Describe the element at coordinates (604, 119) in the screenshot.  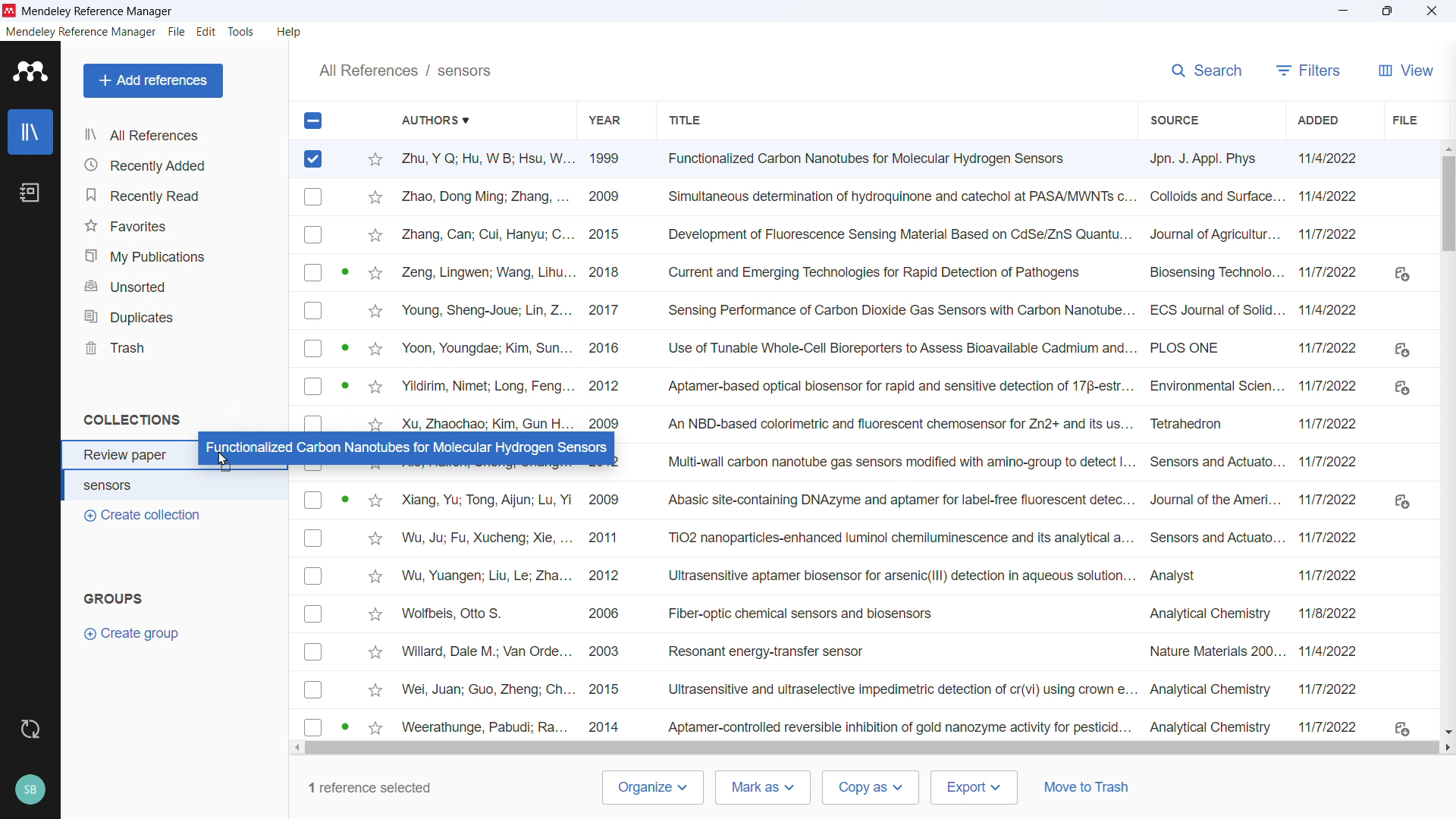
I see `Sort by year of publication ` at that location.